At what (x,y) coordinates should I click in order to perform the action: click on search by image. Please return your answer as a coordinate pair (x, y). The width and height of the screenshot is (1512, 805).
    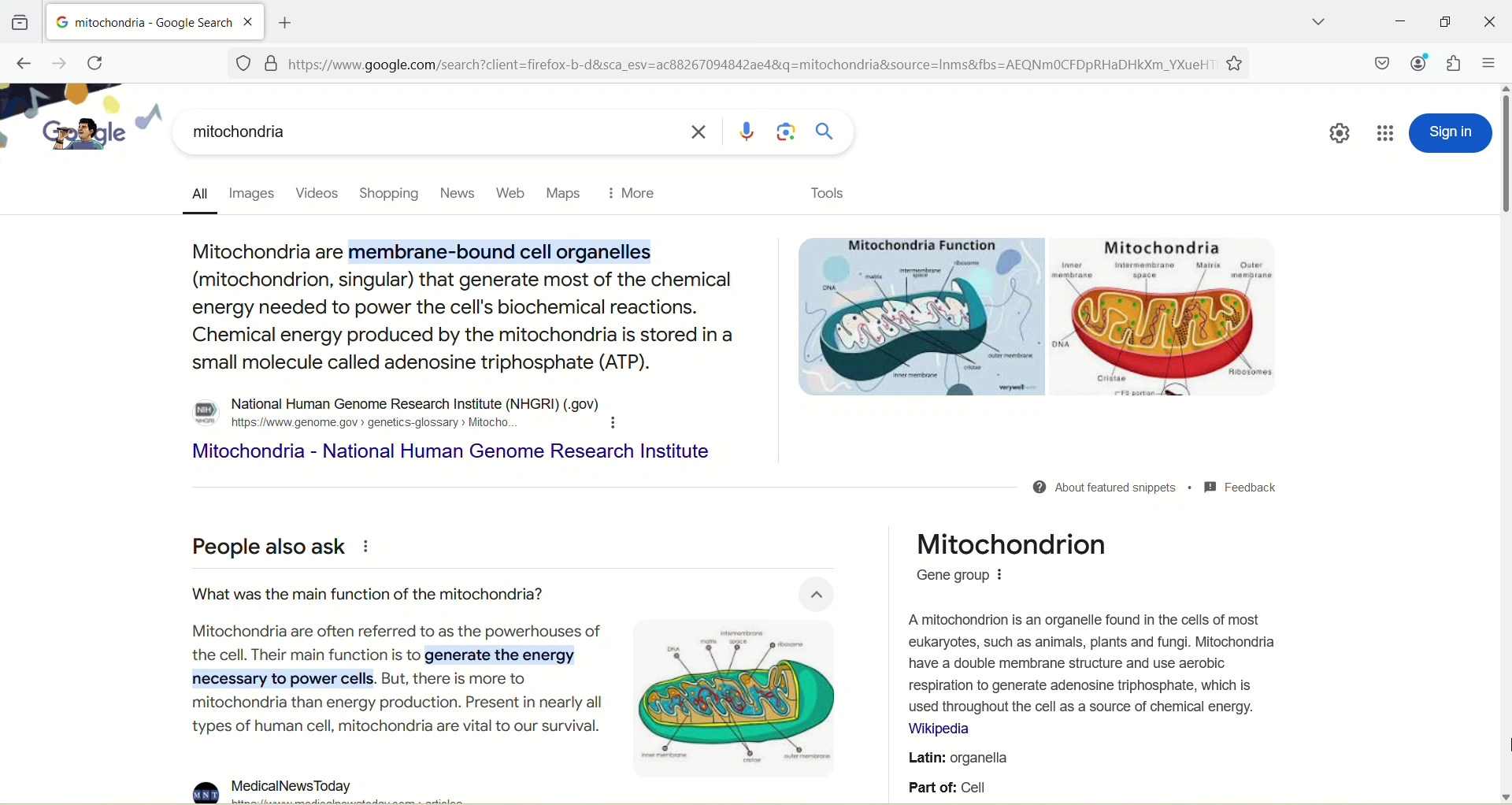
    Looking at the image, I should click on (787, 133).